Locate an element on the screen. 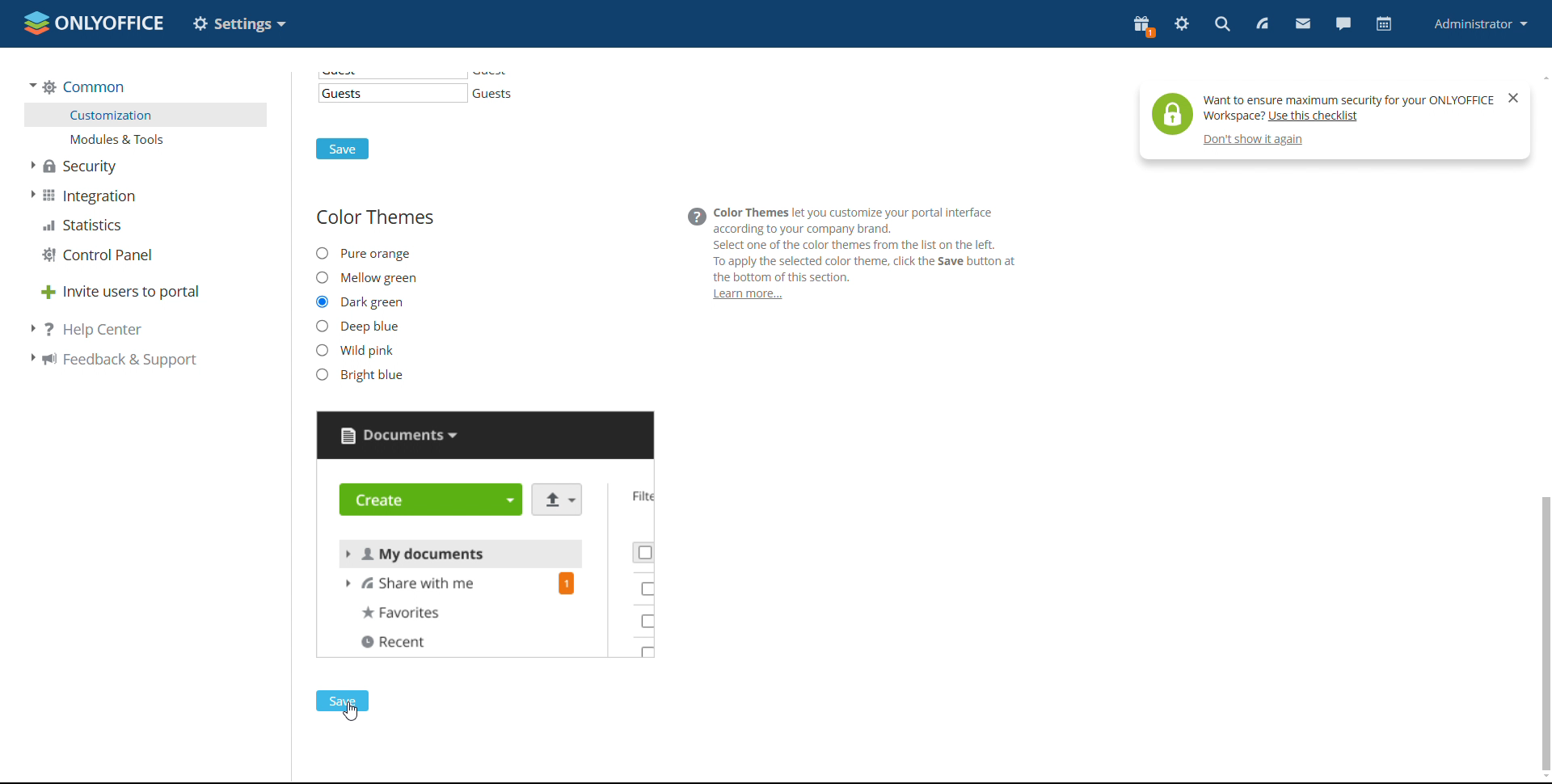  new theme selected is located at coordinates (358, 302).